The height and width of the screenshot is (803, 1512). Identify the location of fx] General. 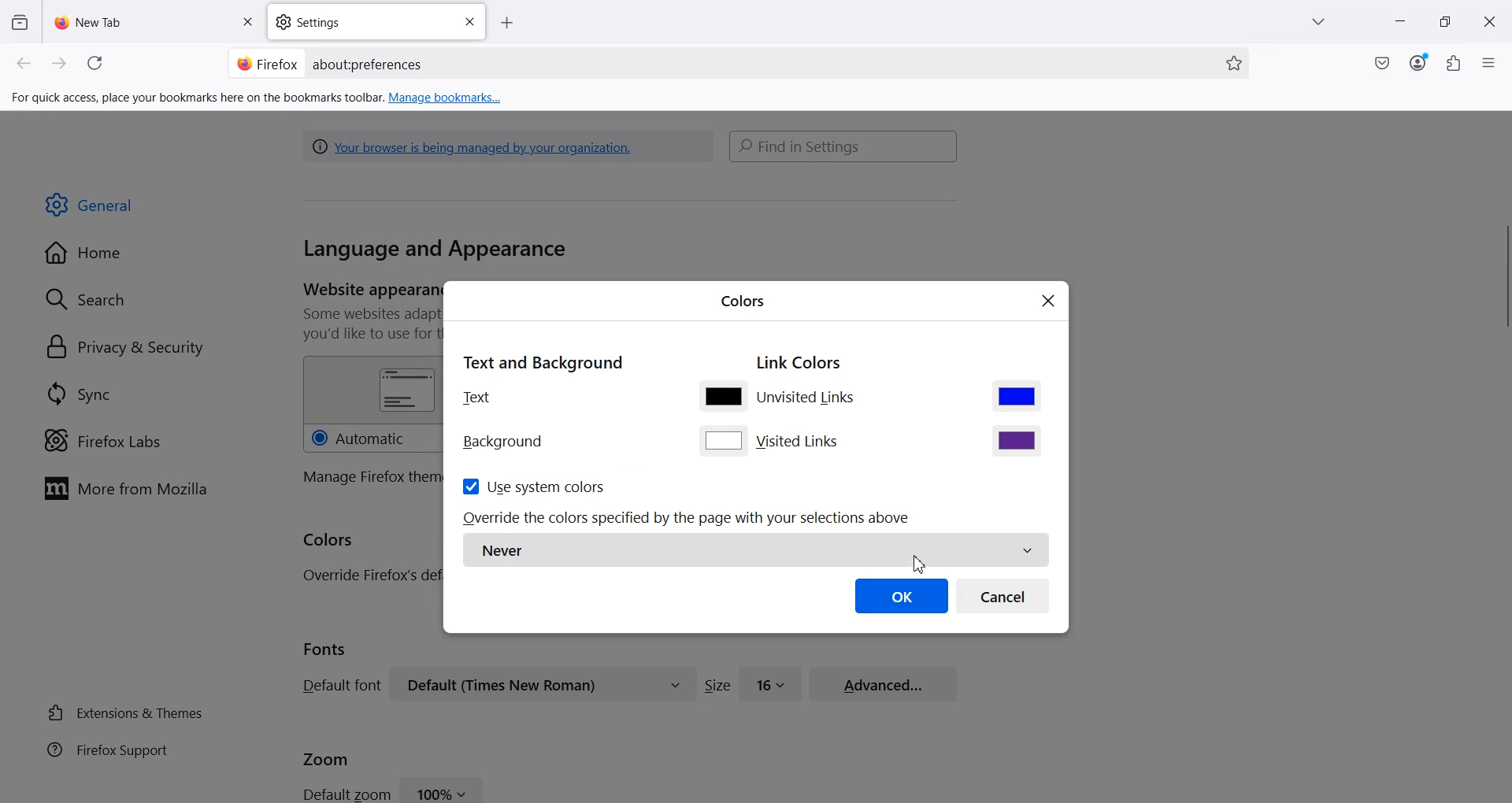
(90, 205).